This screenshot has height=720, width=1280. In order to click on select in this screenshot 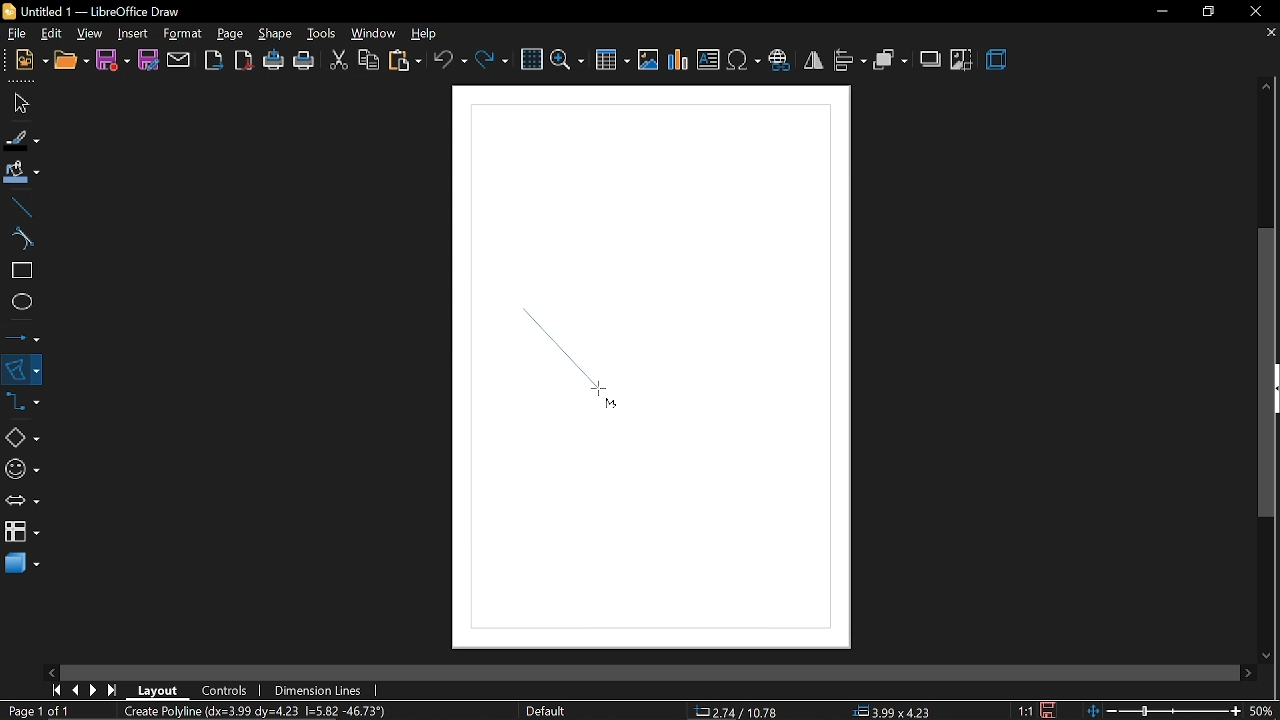, I will do `click(18, 103)`.